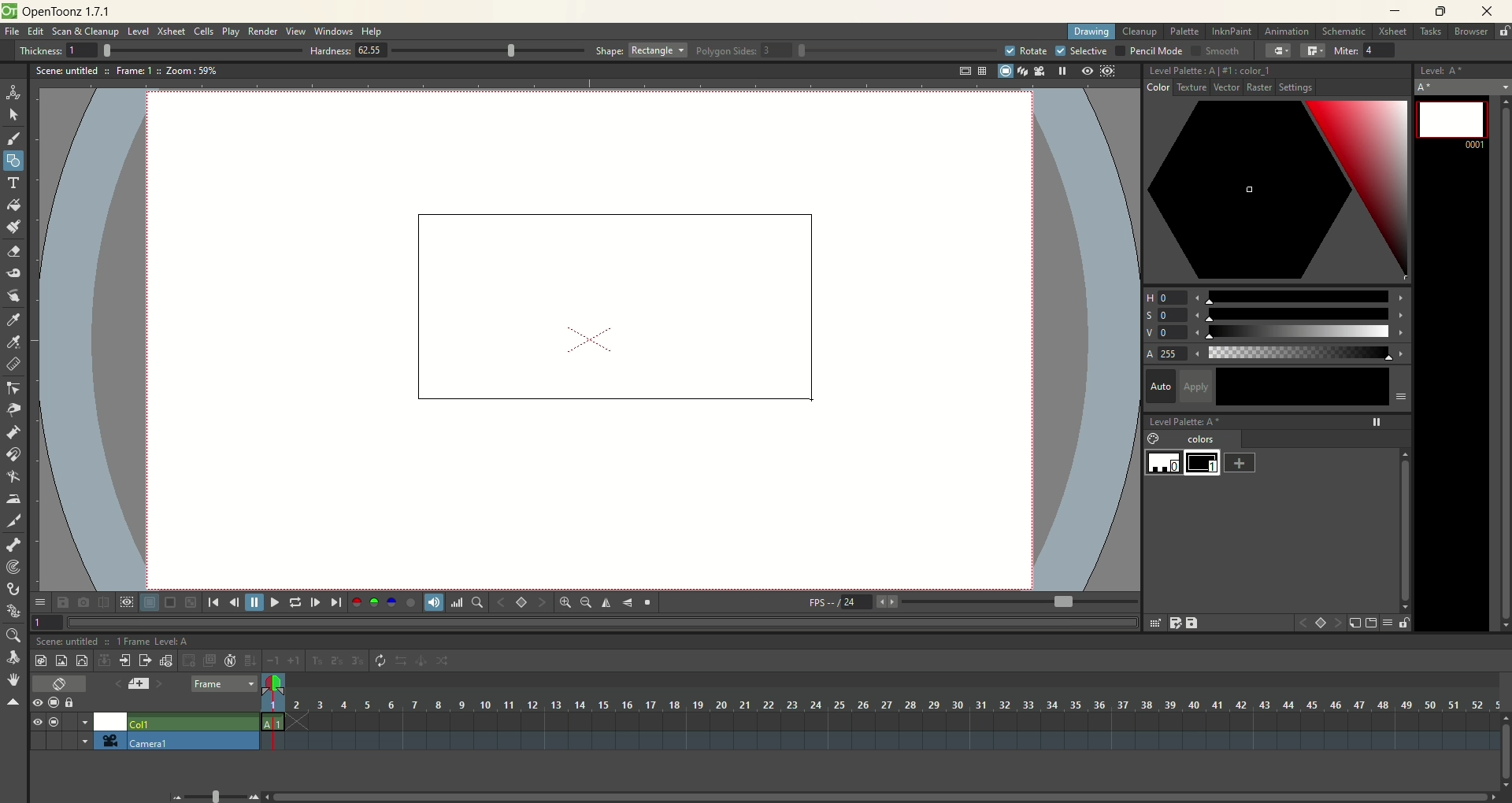 The height and width of the screenshot is (803, 1512). Describe the element at coordinates (40, 661) in the screenshot. I see `new toonz raster level` at that location.